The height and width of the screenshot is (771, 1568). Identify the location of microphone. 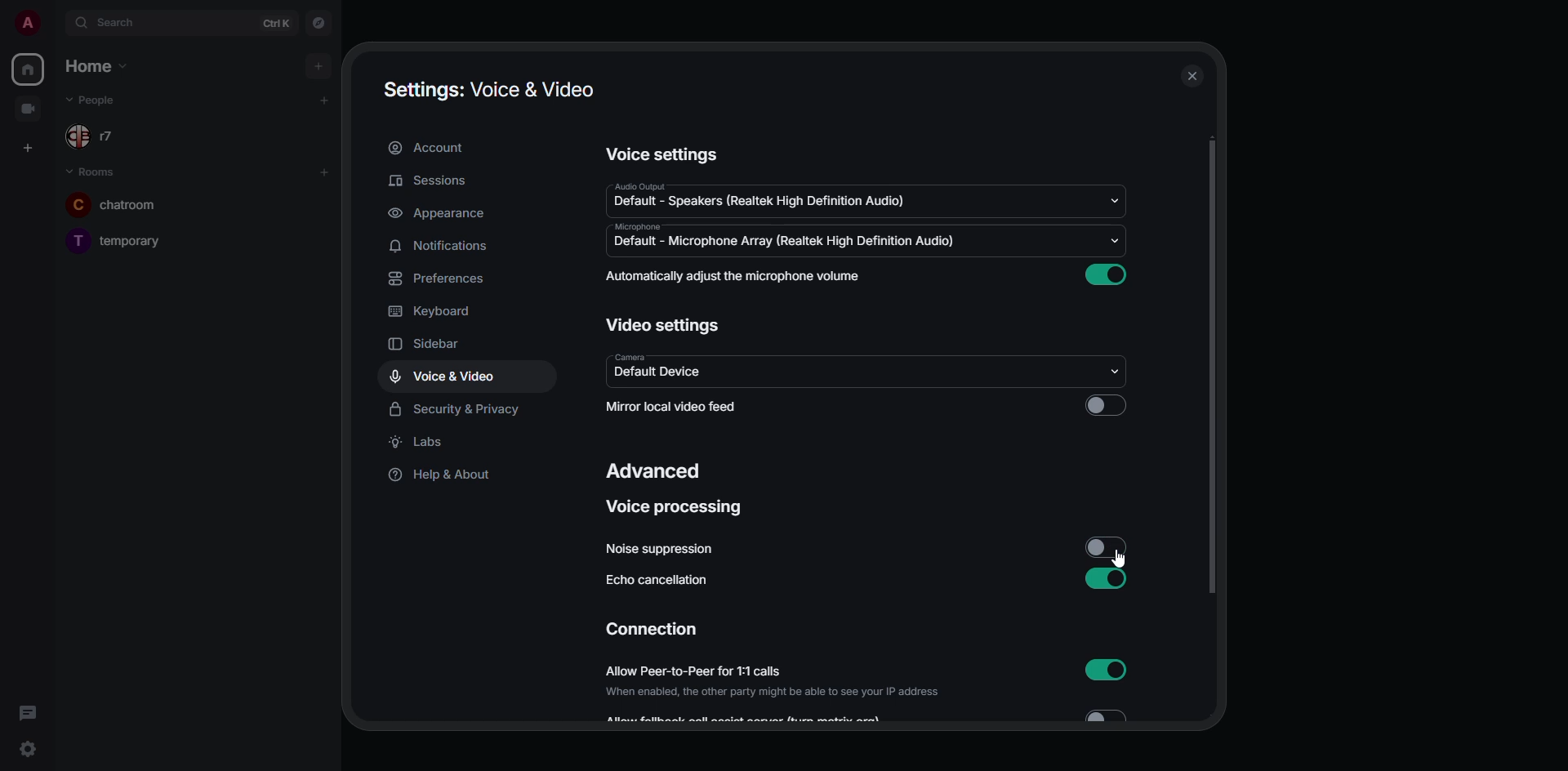
(640, 226).